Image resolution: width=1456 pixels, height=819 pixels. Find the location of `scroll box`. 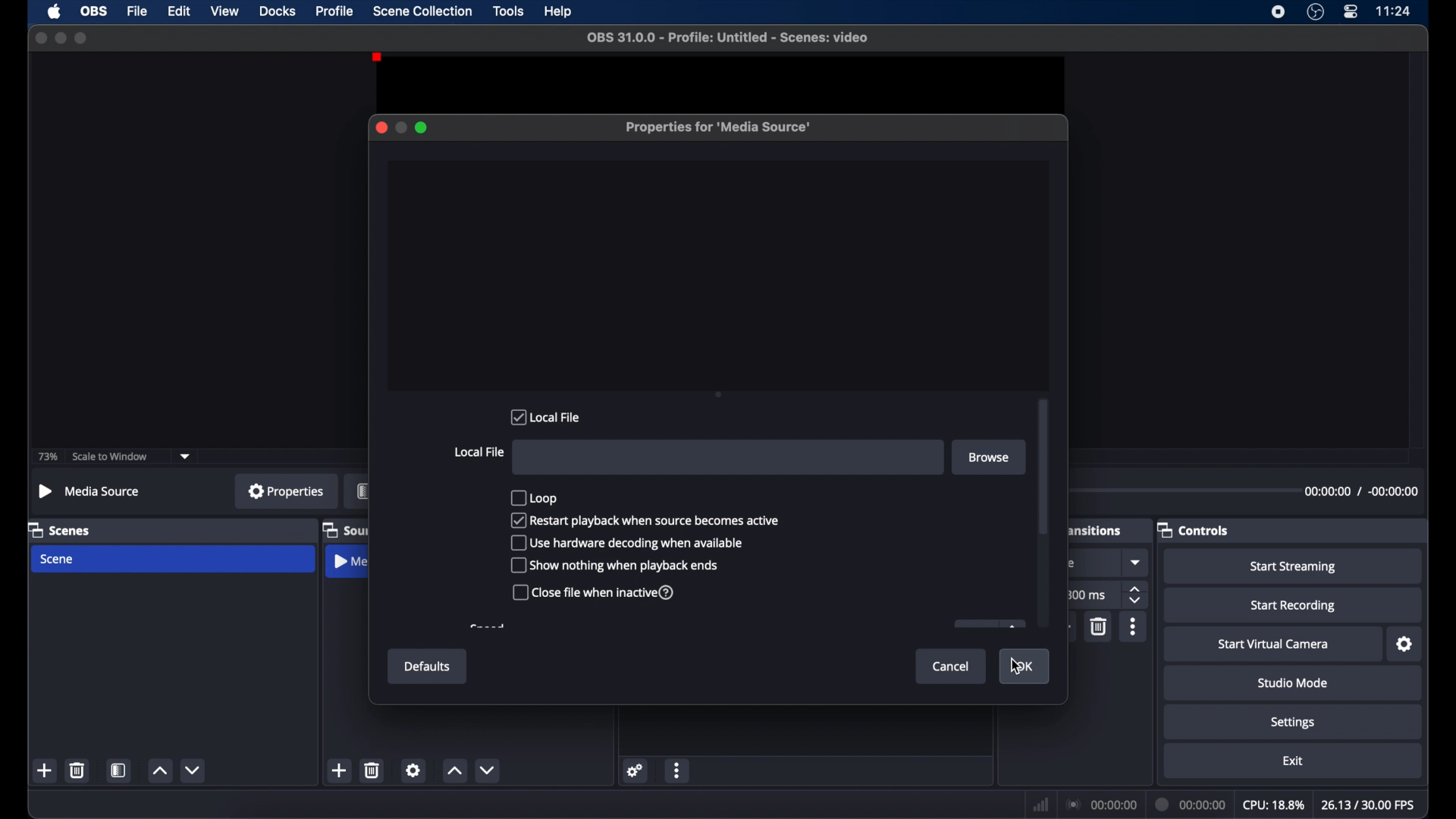

scroll box is located at coordinates (1043, 466).